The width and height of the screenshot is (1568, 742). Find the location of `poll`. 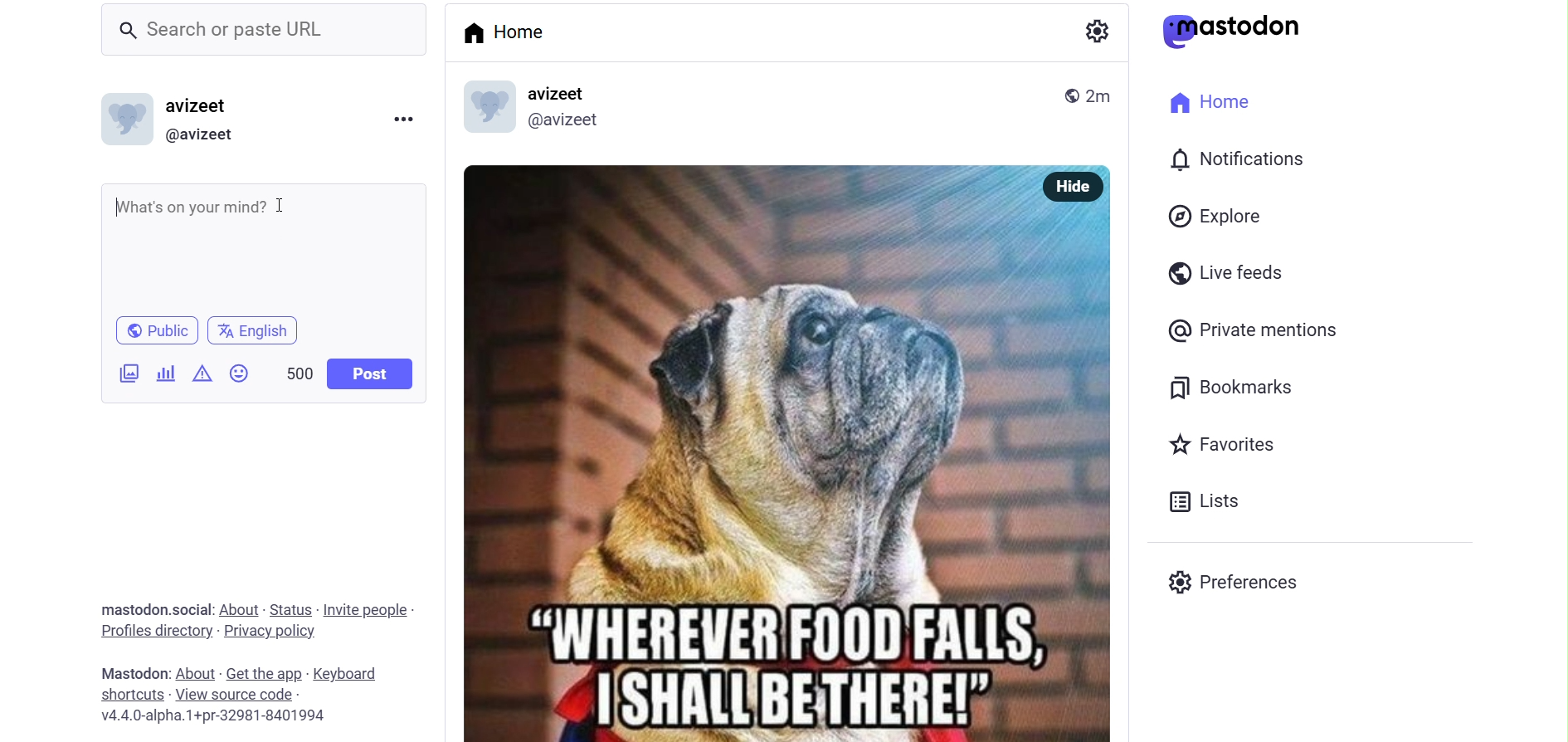

poll is located at coordinates (168, 373).